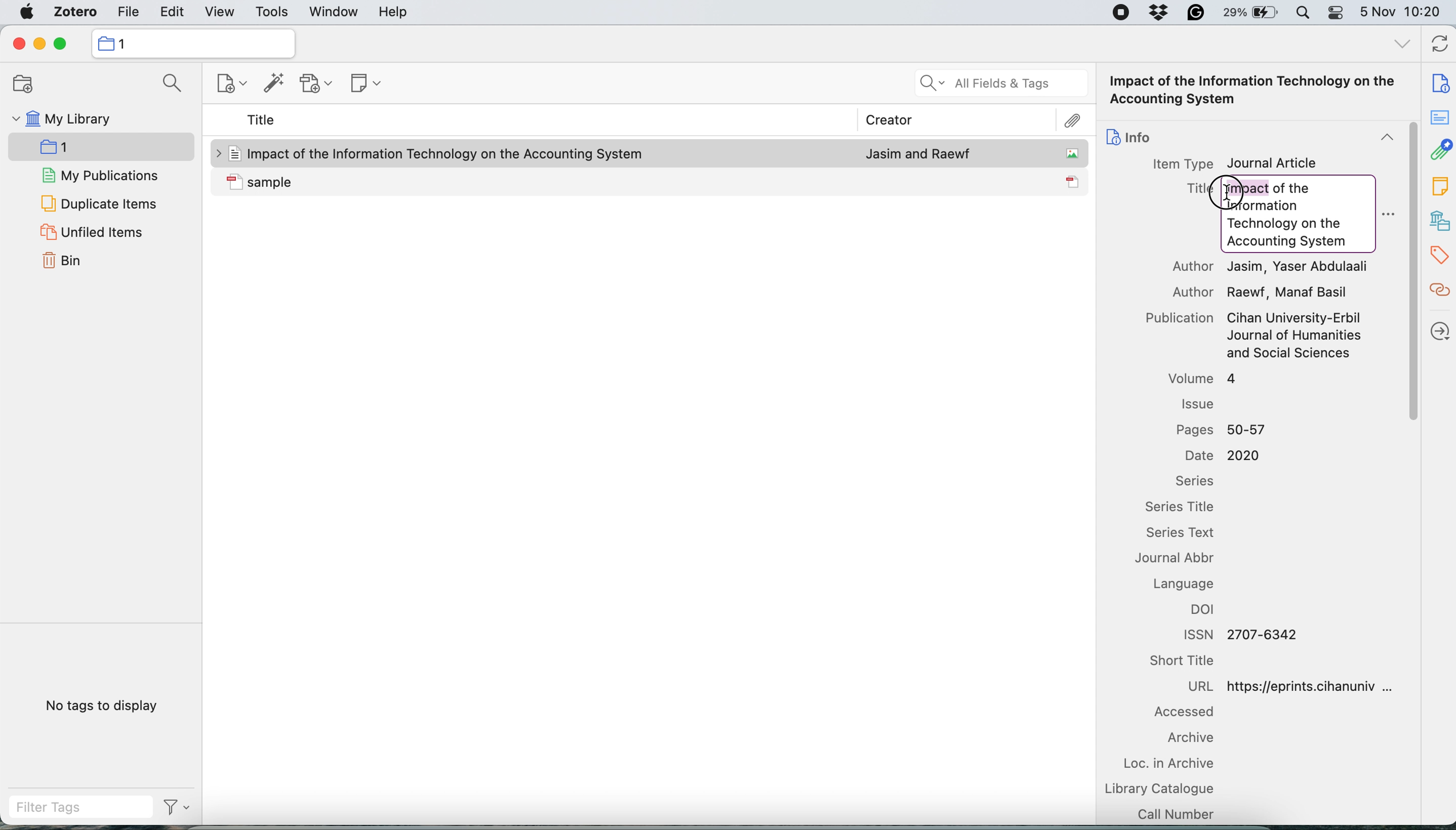 This screenshot has height=830, width=1456. I want to click on add items by identifier, so click(273, 84).